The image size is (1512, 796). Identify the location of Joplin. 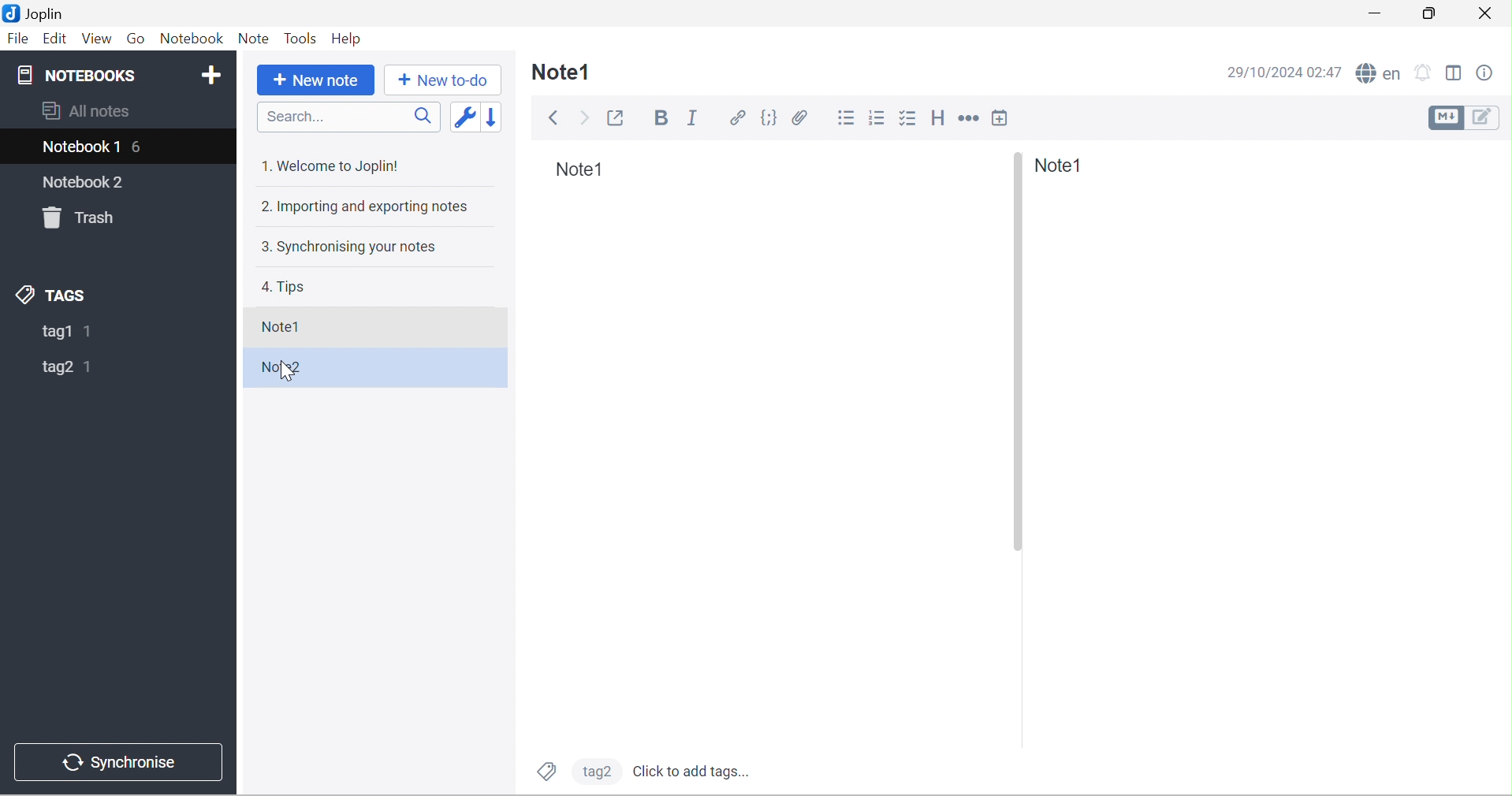
(33, 13).